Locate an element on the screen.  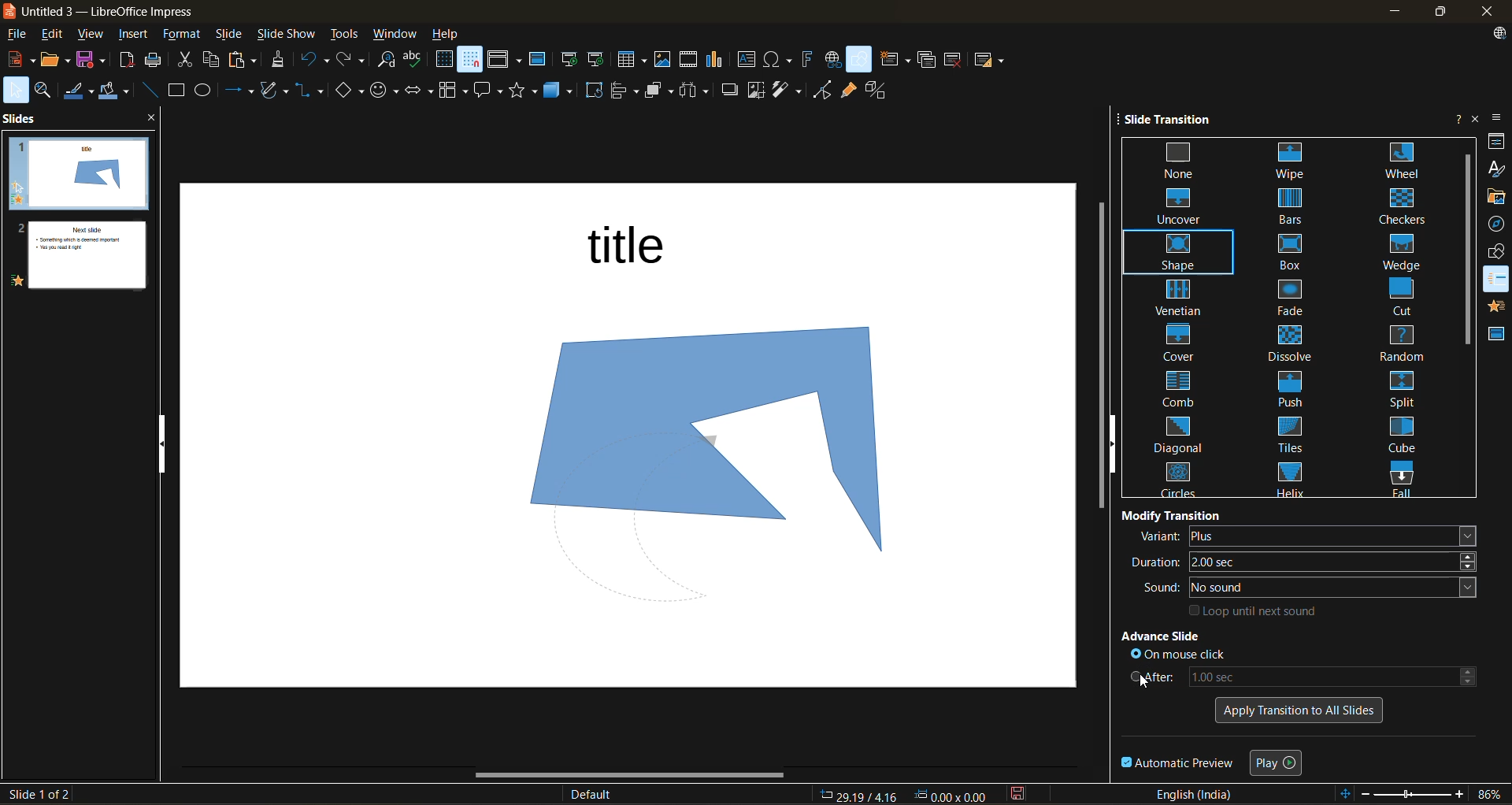
help on sidebar deck is located at coordinates (1455, 118).